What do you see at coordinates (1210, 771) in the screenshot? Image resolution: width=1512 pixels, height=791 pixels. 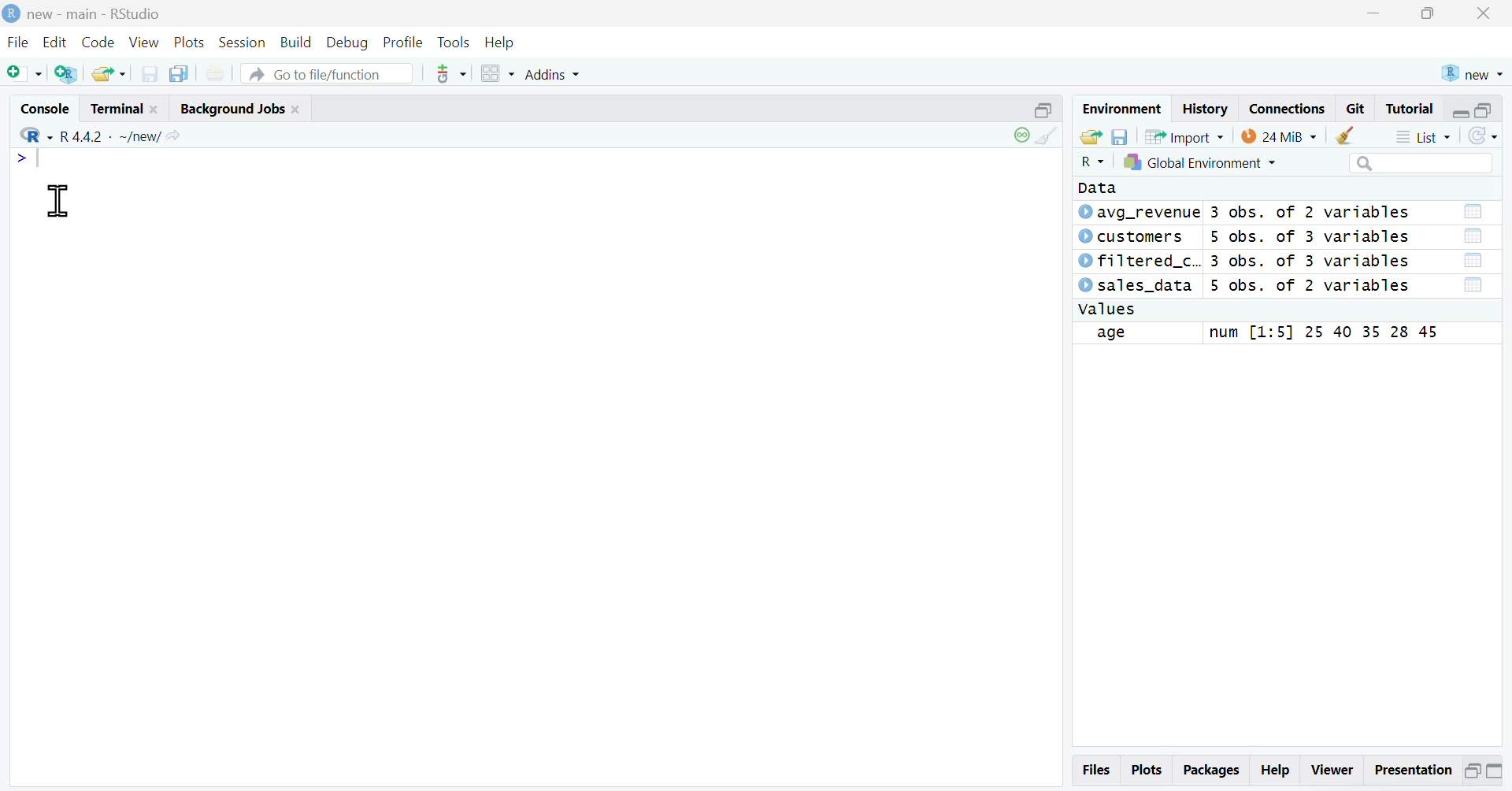 I see `Packages` at bounding box center [1210, 771].